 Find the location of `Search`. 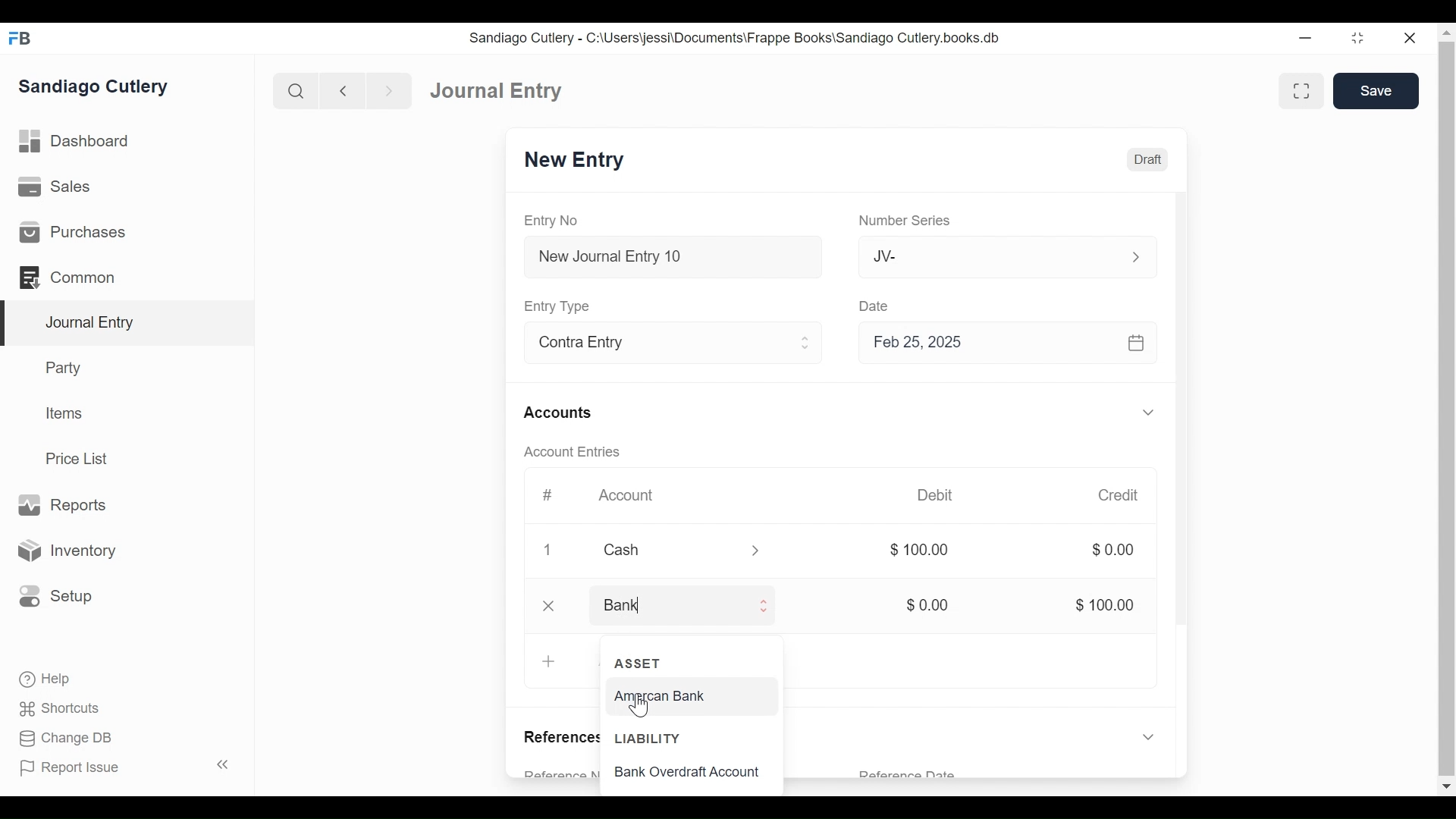

Search is located at coordinates (297, 90).